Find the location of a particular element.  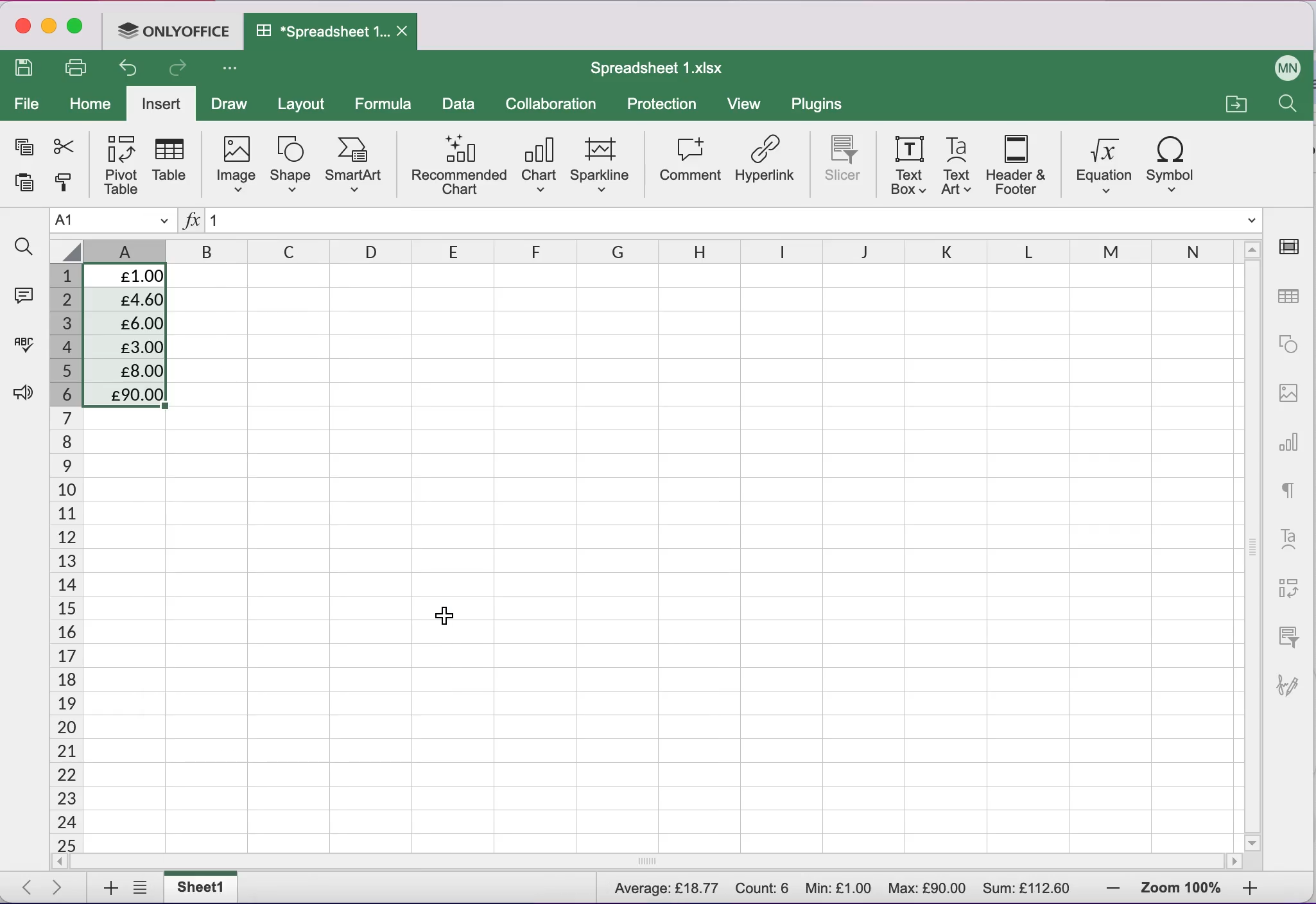

Min: £1.00 is located at coordinates (836, 887).